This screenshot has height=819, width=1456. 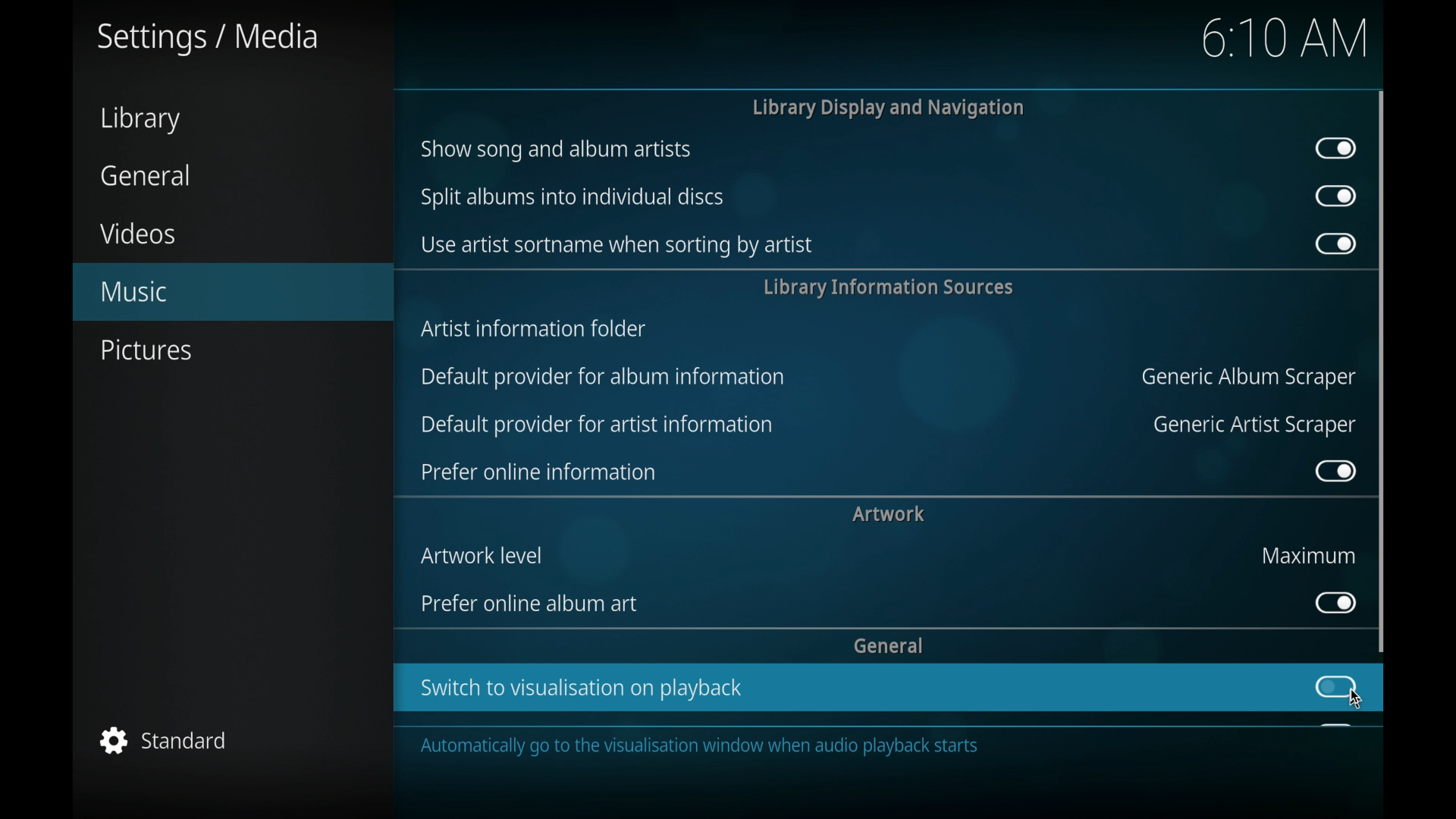 What do you see at coordinates (1334, 602) in the screenshot?
I see `toggle button` at bounding box center [1334, 602].